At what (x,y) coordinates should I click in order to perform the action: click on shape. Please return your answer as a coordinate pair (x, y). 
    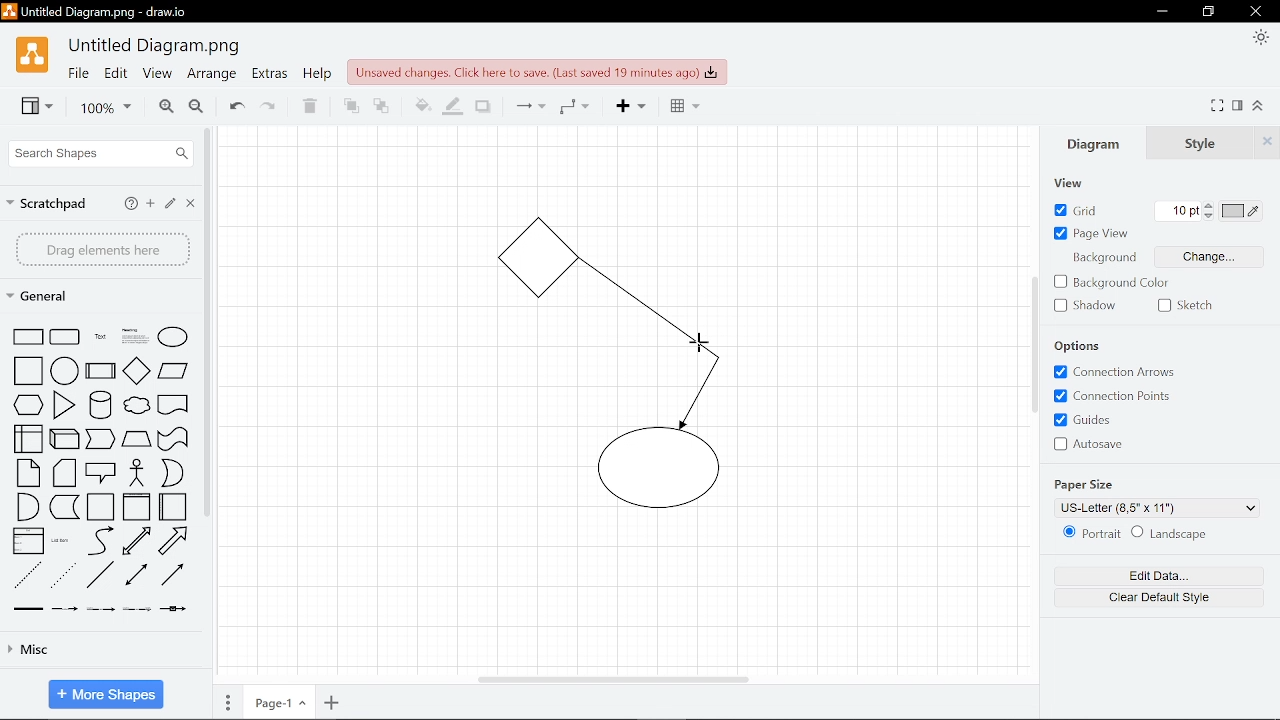
    Looking at the image, I should click on (139, 542).